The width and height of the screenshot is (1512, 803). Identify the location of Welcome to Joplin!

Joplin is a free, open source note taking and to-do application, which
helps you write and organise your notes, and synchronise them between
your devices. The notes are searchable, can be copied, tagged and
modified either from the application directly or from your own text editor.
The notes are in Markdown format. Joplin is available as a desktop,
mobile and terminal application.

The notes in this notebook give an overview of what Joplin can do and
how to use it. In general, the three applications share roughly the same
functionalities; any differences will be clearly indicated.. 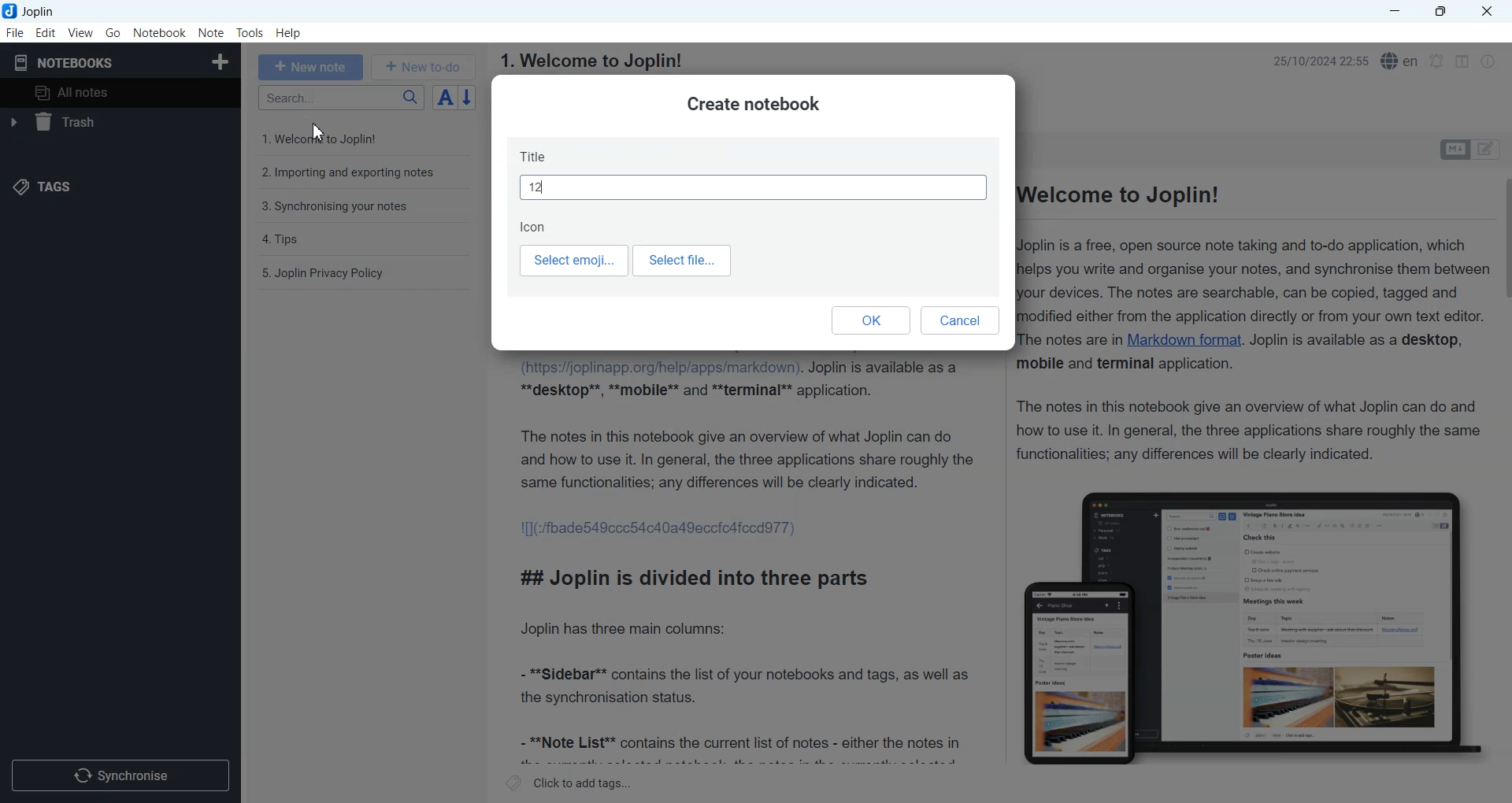
(1257, 326).